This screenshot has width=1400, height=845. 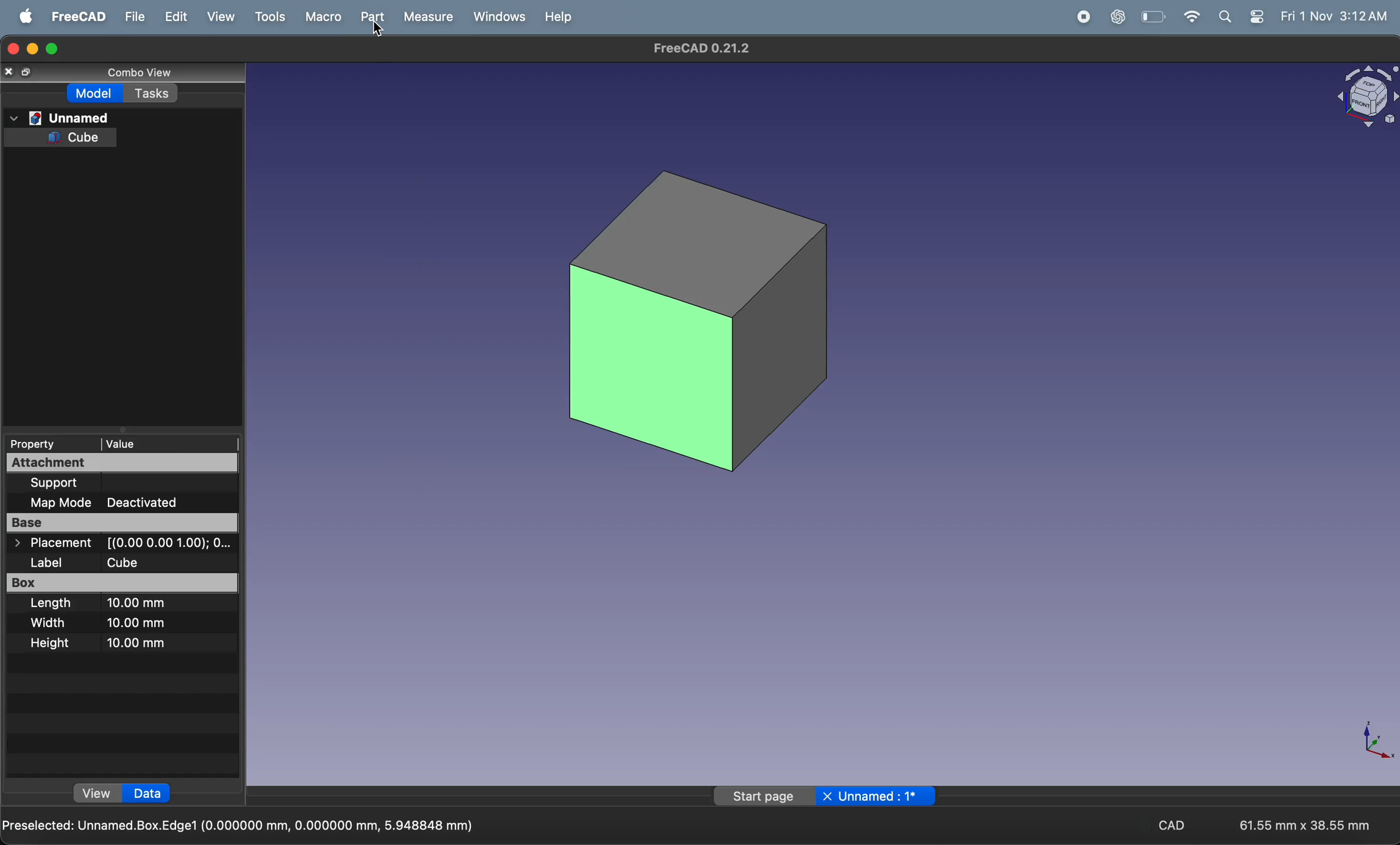 I want to click on file, so click(x=132, y=17).